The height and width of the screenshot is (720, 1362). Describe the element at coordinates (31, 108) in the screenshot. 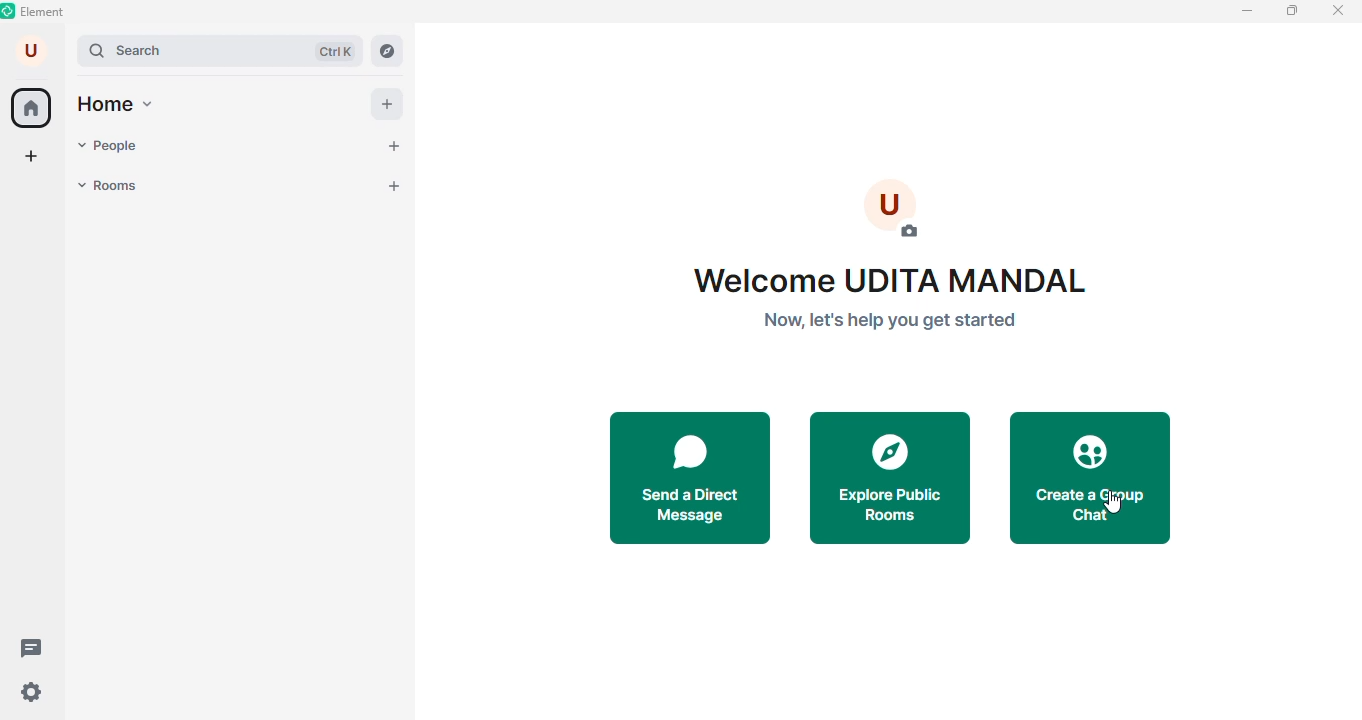

I see `home` at that location.